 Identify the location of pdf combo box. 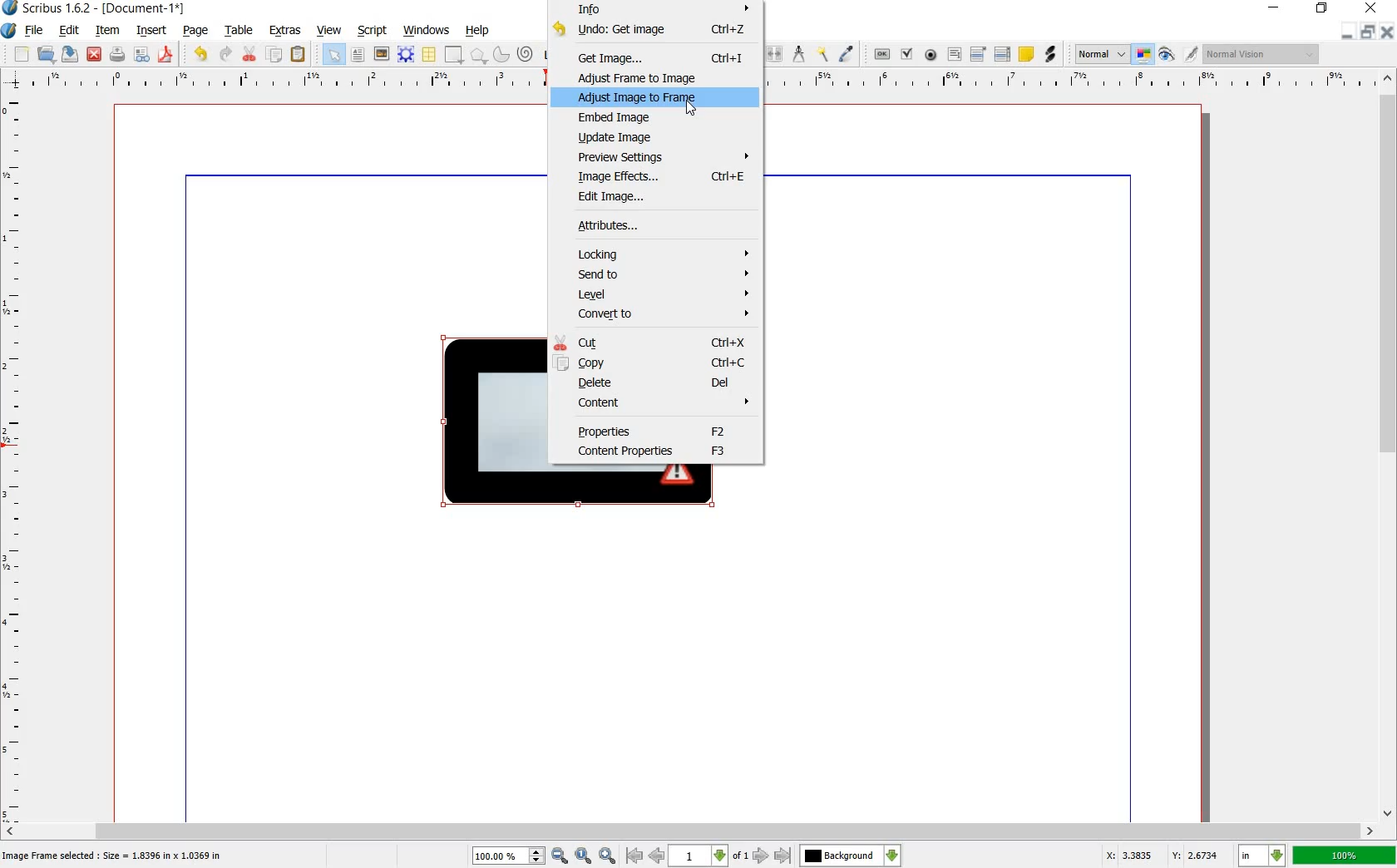
(978, 55).